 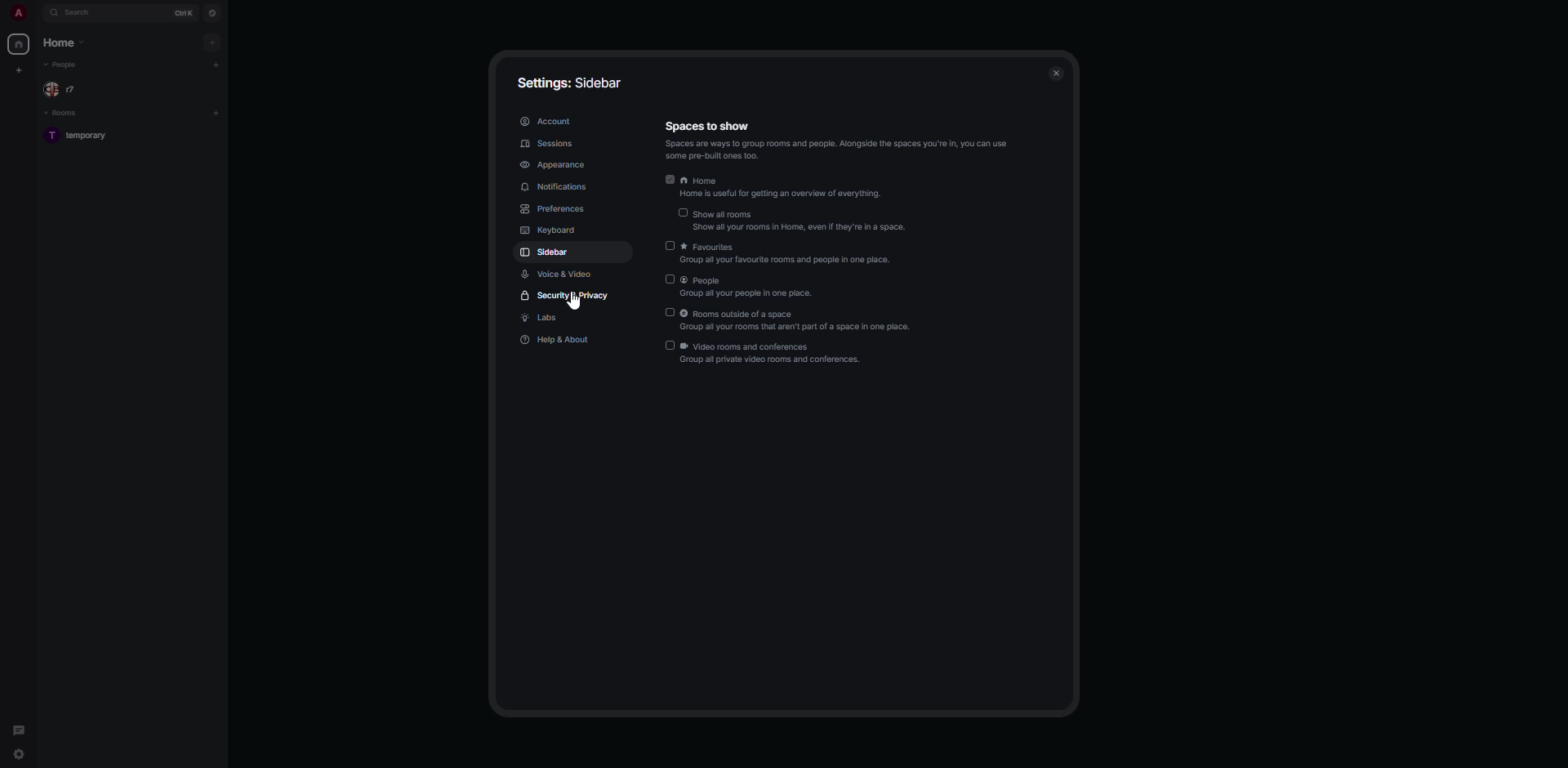 I want to click on threads, so click(x=20, y=726).